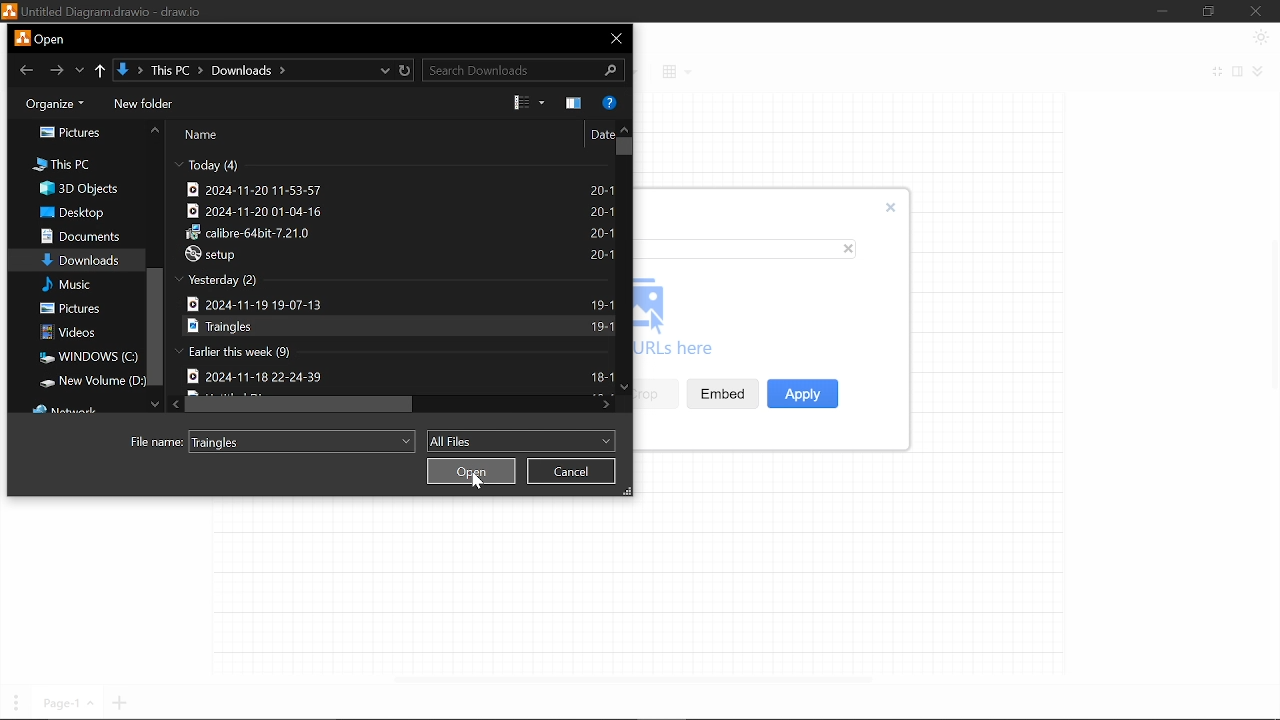 The image size is (1280, 720). I want to click on Documents, so click(83, 236).